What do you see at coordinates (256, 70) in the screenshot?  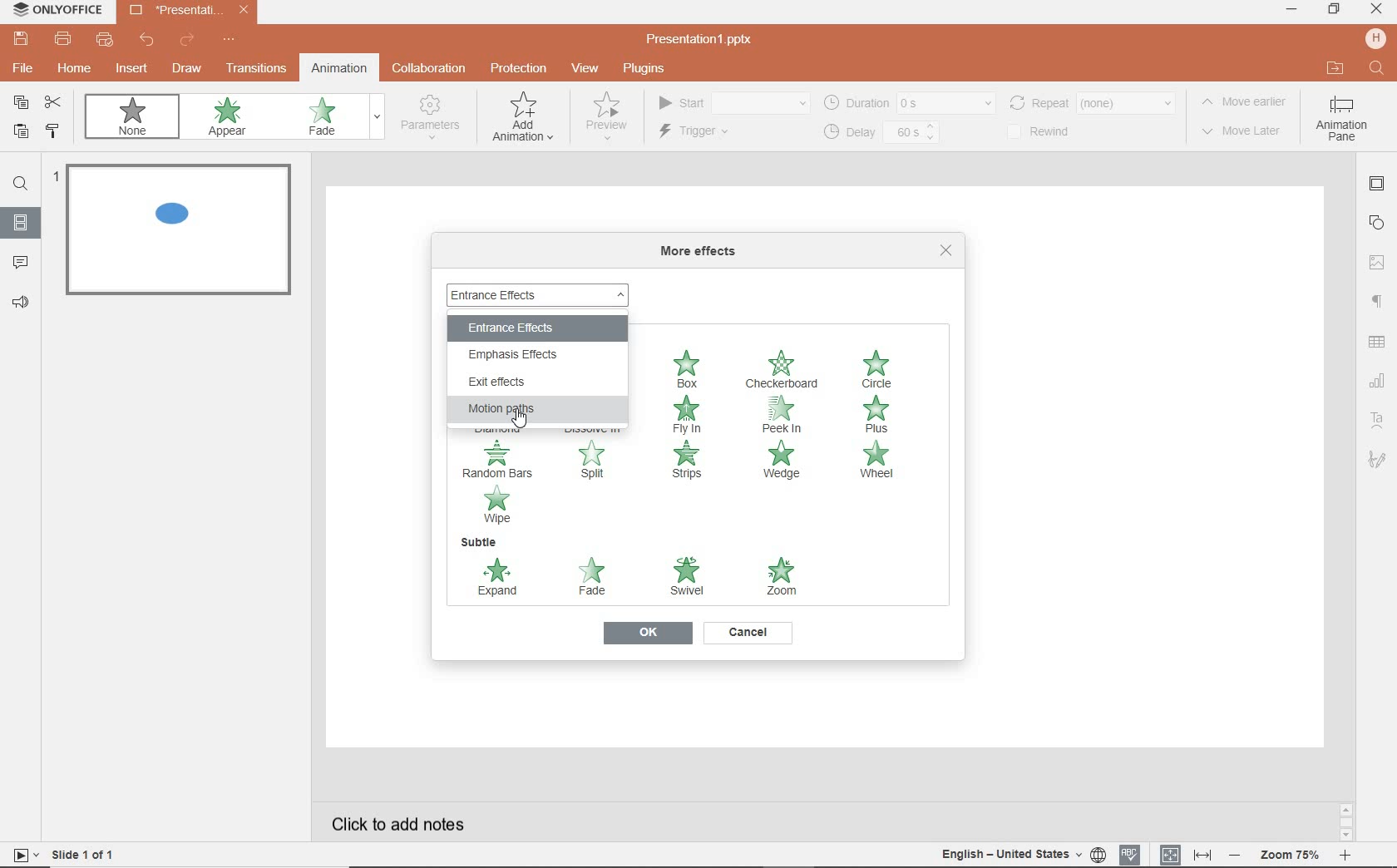 I see `transitions` at bounding box center [256, 70].